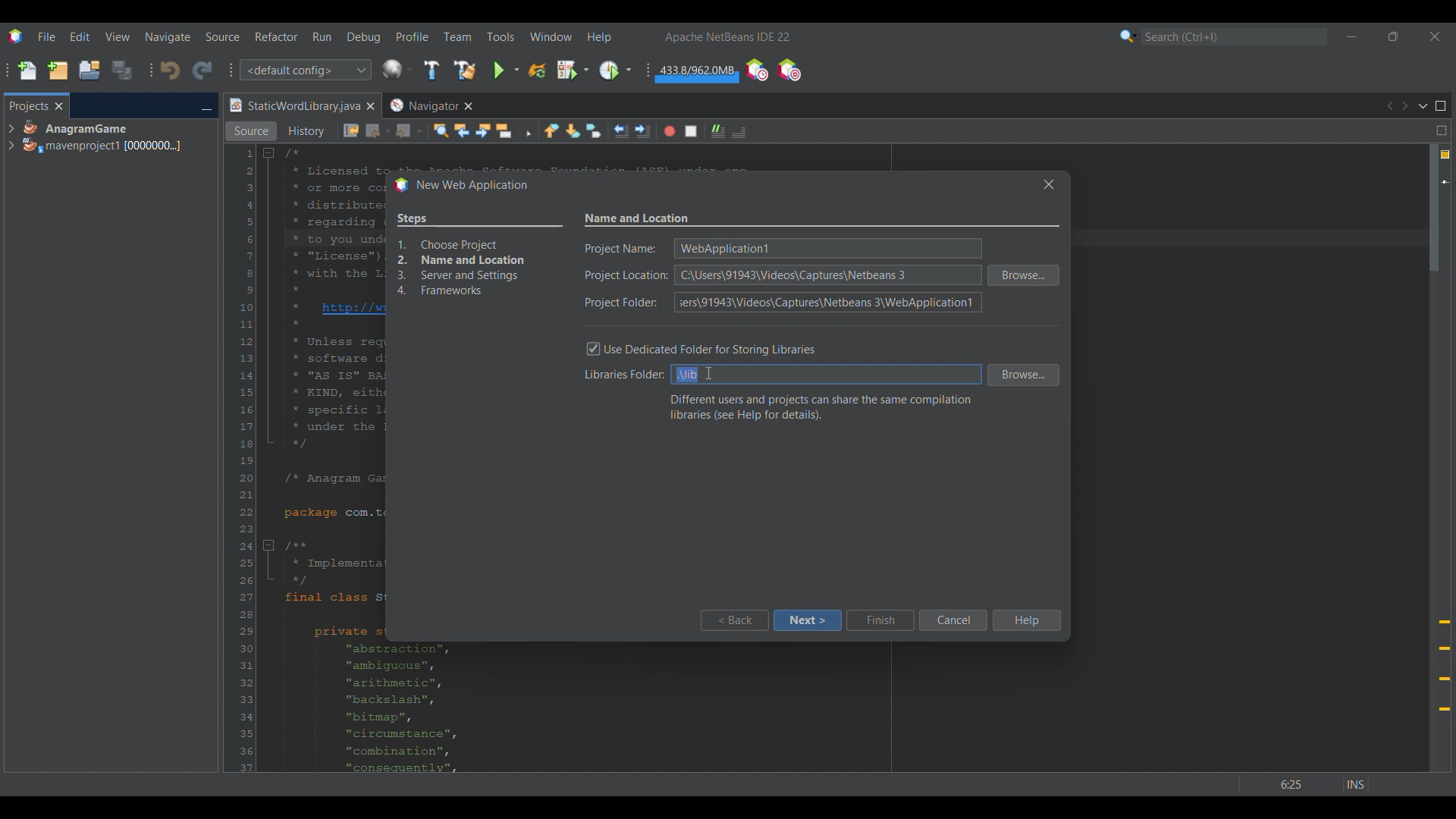  I want to click on Show documents list, so click(1423, 105).